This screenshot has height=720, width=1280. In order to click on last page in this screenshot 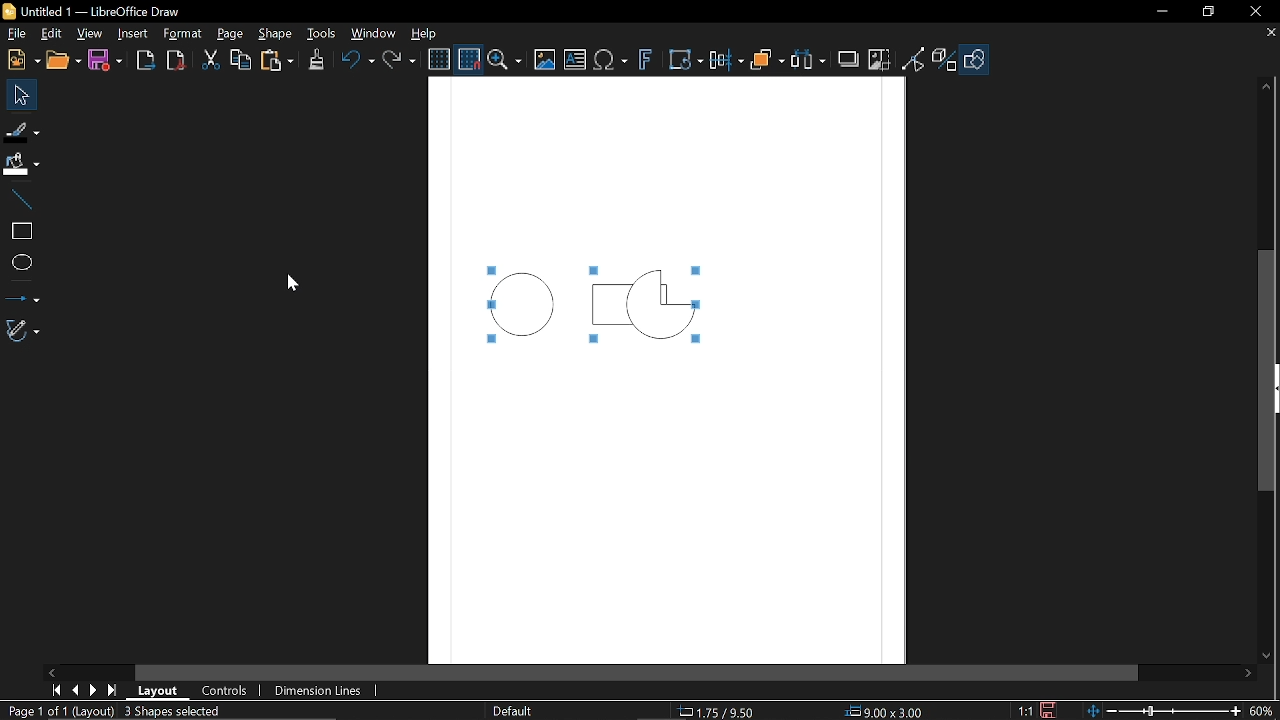, I will do `click(110, 690)`.